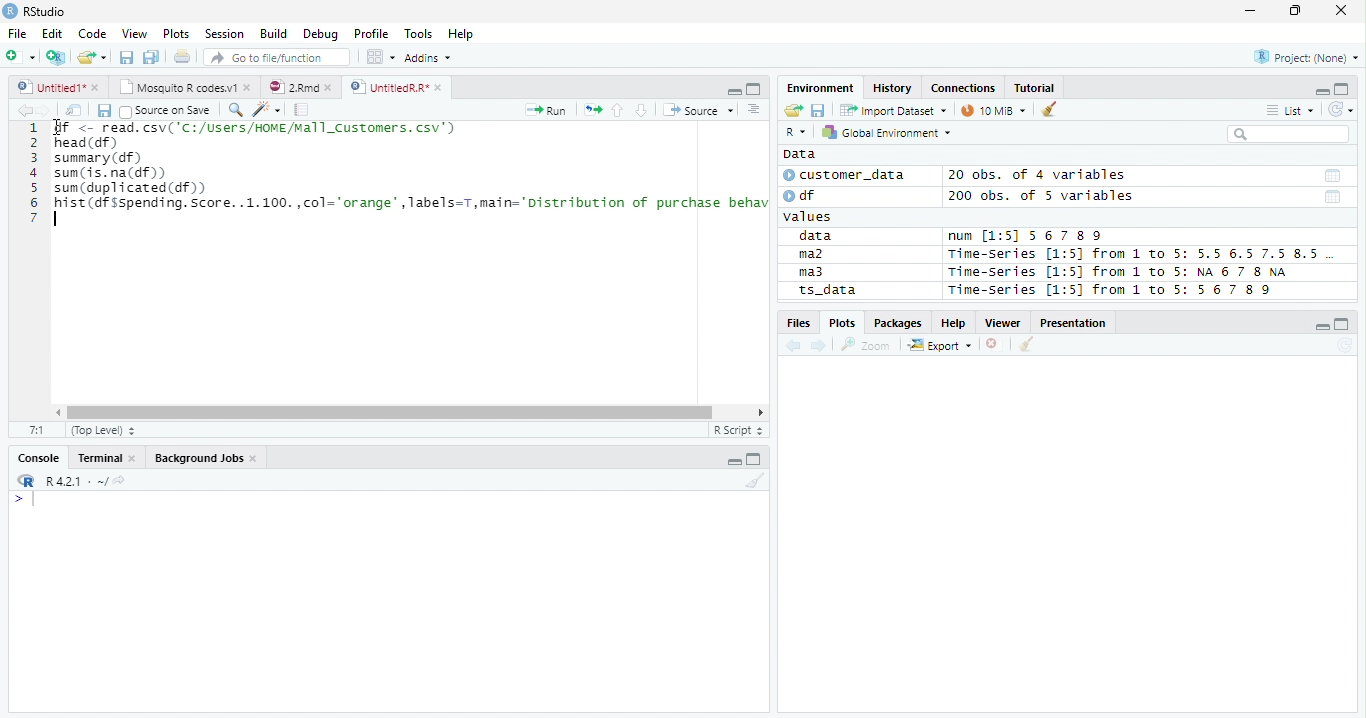 The height and width of the screenshot is (718, 1366). What do you see at coordinates (302, 110) in the screenshot?
I see `Compile Report` at bounding box center [302, 110].